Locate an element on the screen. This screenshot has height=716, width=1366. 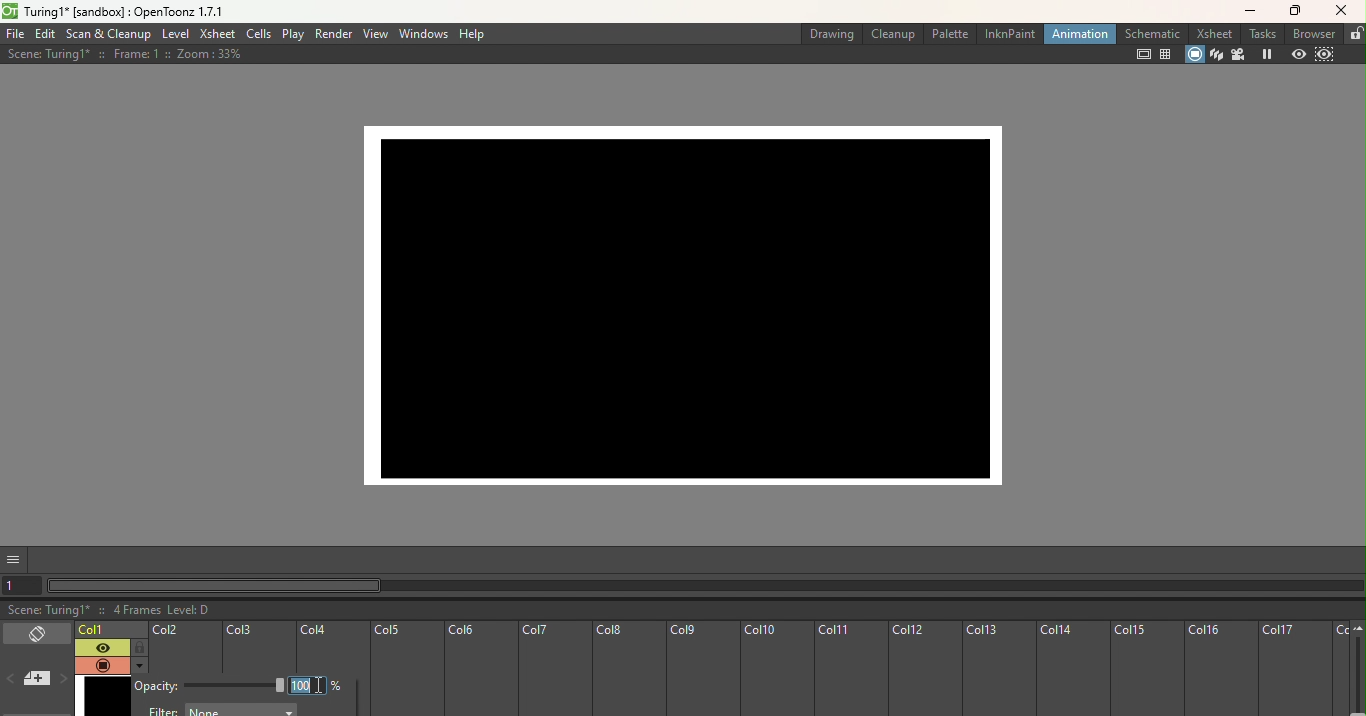
Col13 is located at coordinates (998, 670).